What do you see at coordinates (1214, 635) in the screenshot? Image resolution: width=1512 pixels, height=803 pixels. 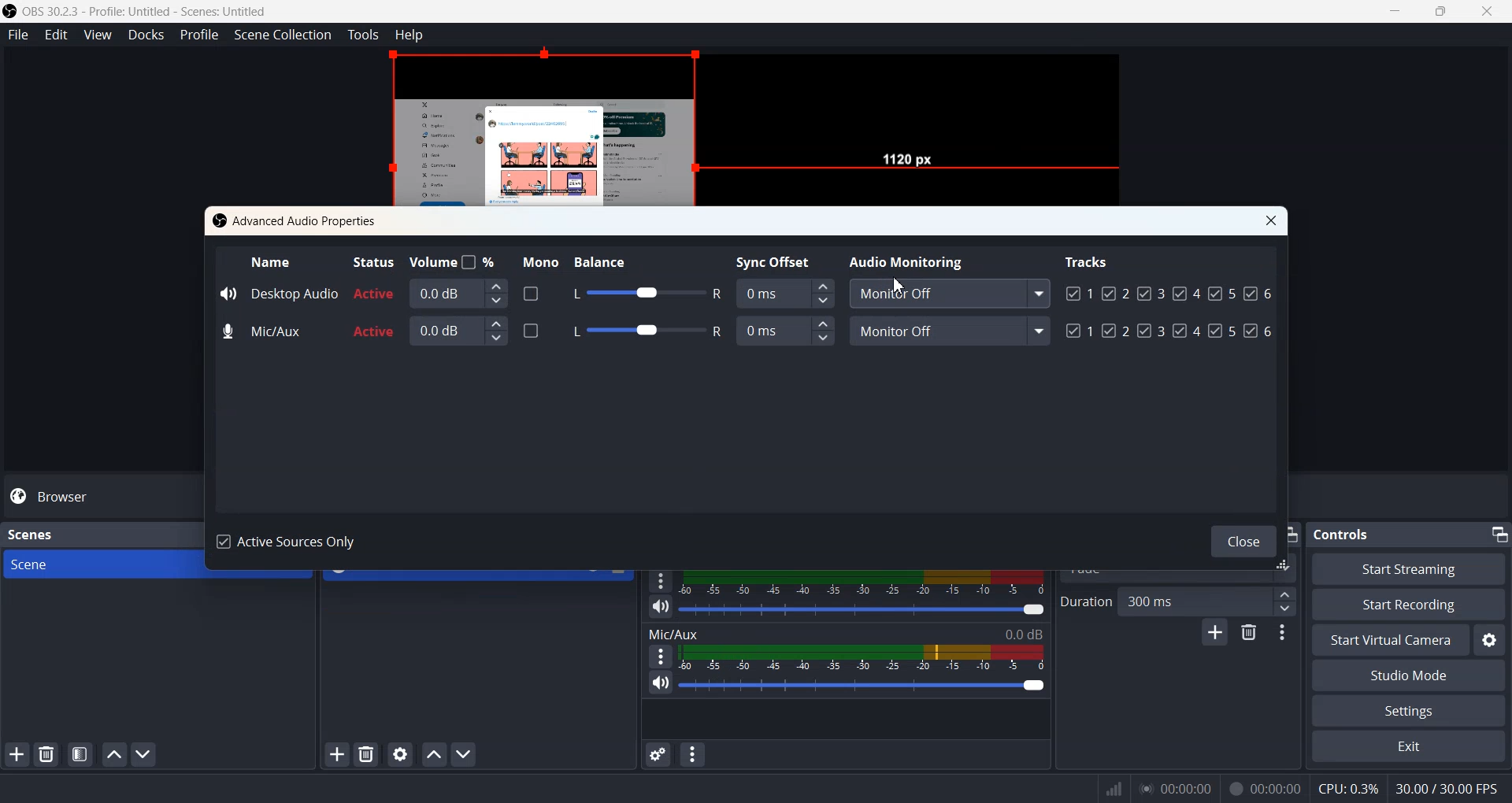 I see `Add configurable transistion` at bounding box center [1214, 635].